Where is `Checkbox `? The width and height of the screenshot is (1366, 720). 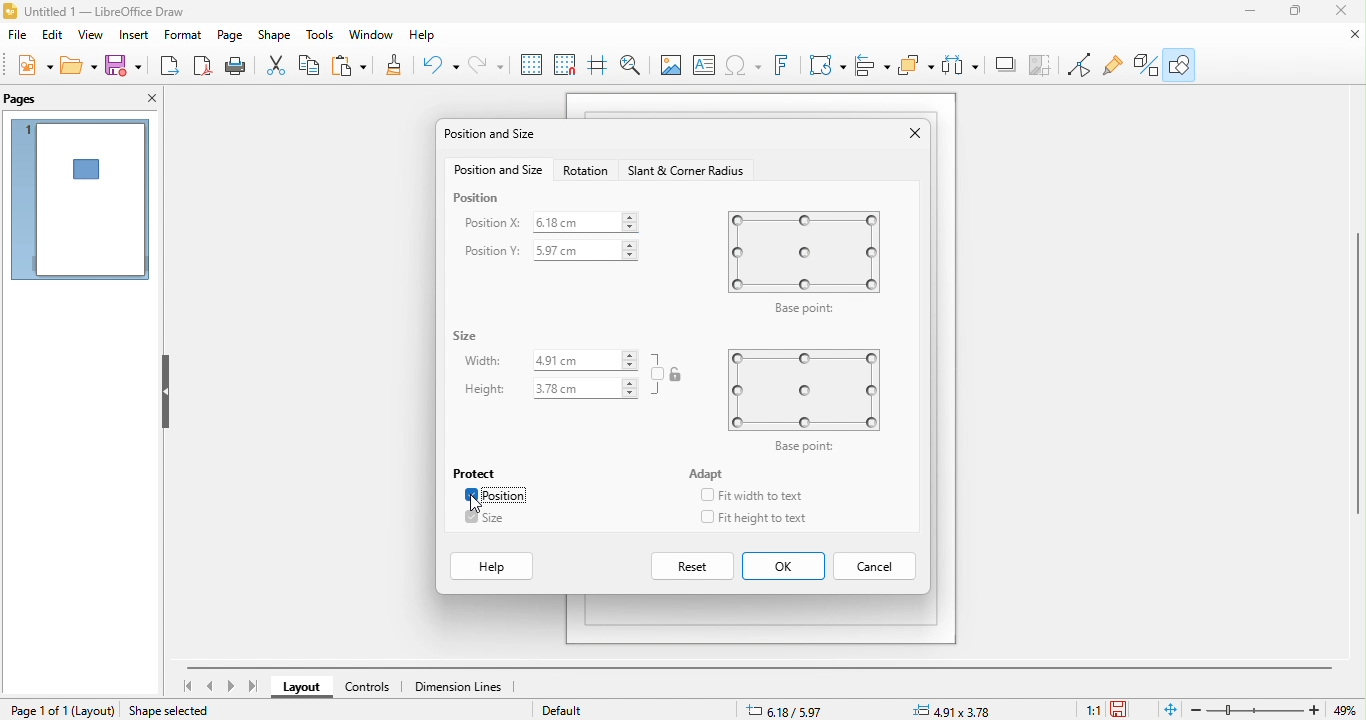 Checkbox  is located at coordinates (471, 516).